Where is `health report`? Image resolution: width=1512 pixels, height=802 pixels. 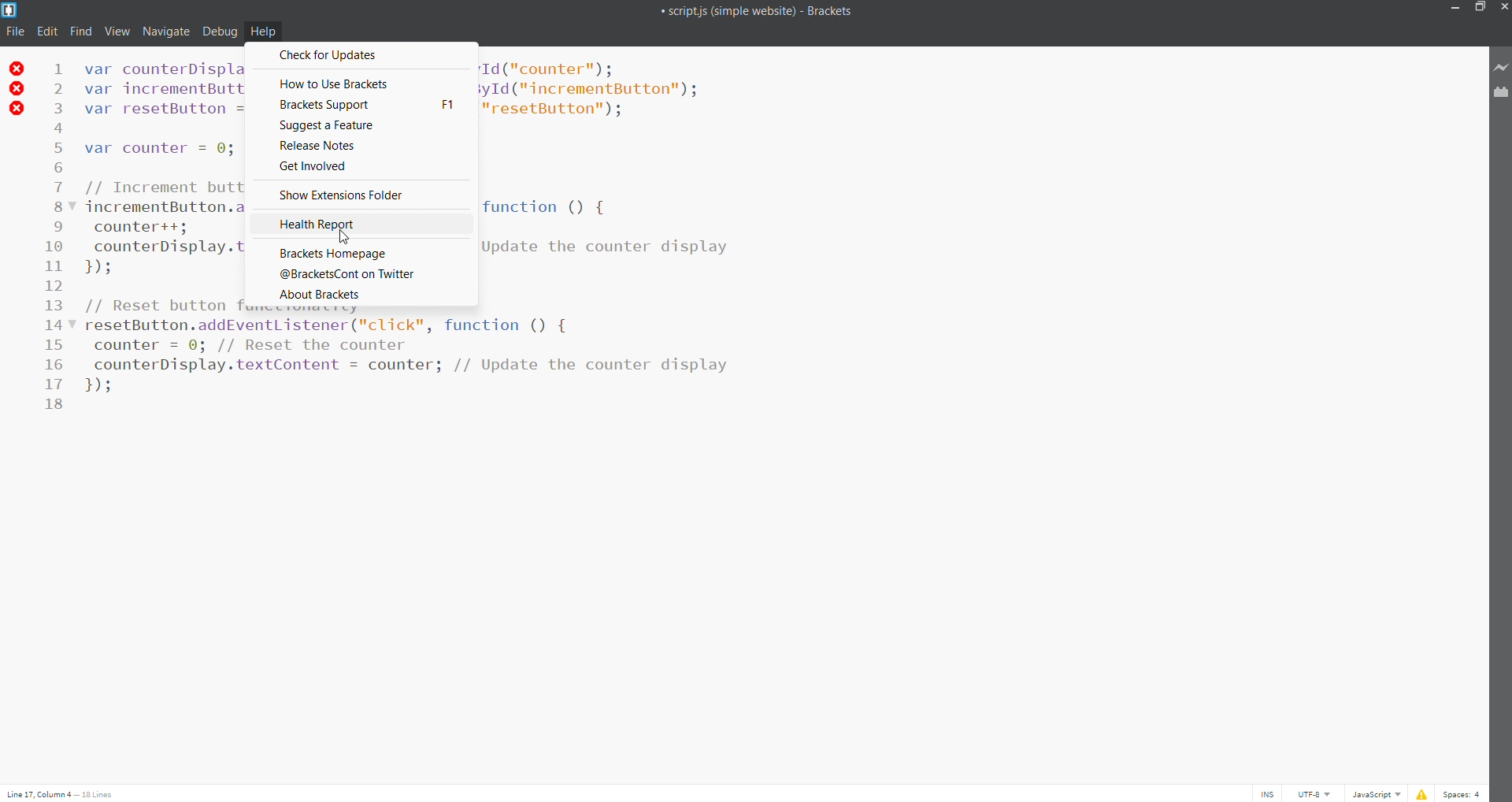 health report is located at coordinates (361, 224).